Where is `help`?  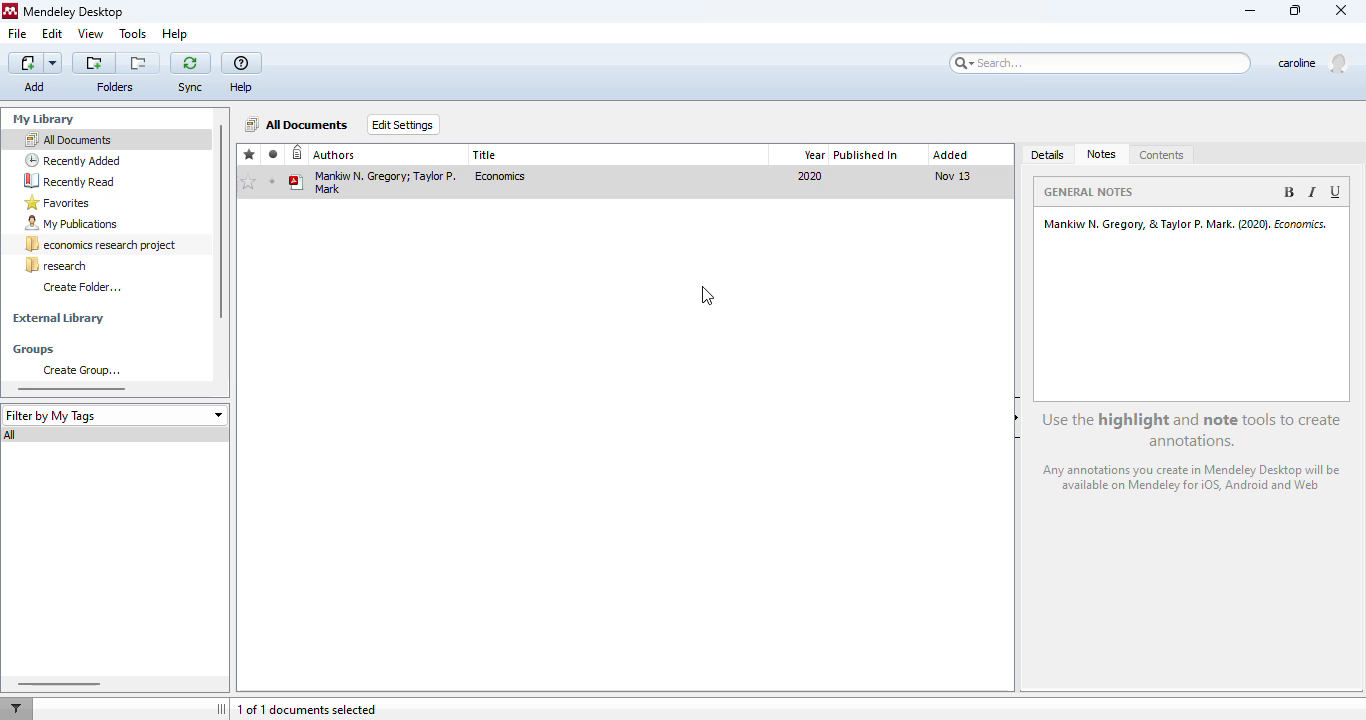
help is located at coordinates (242, 64).